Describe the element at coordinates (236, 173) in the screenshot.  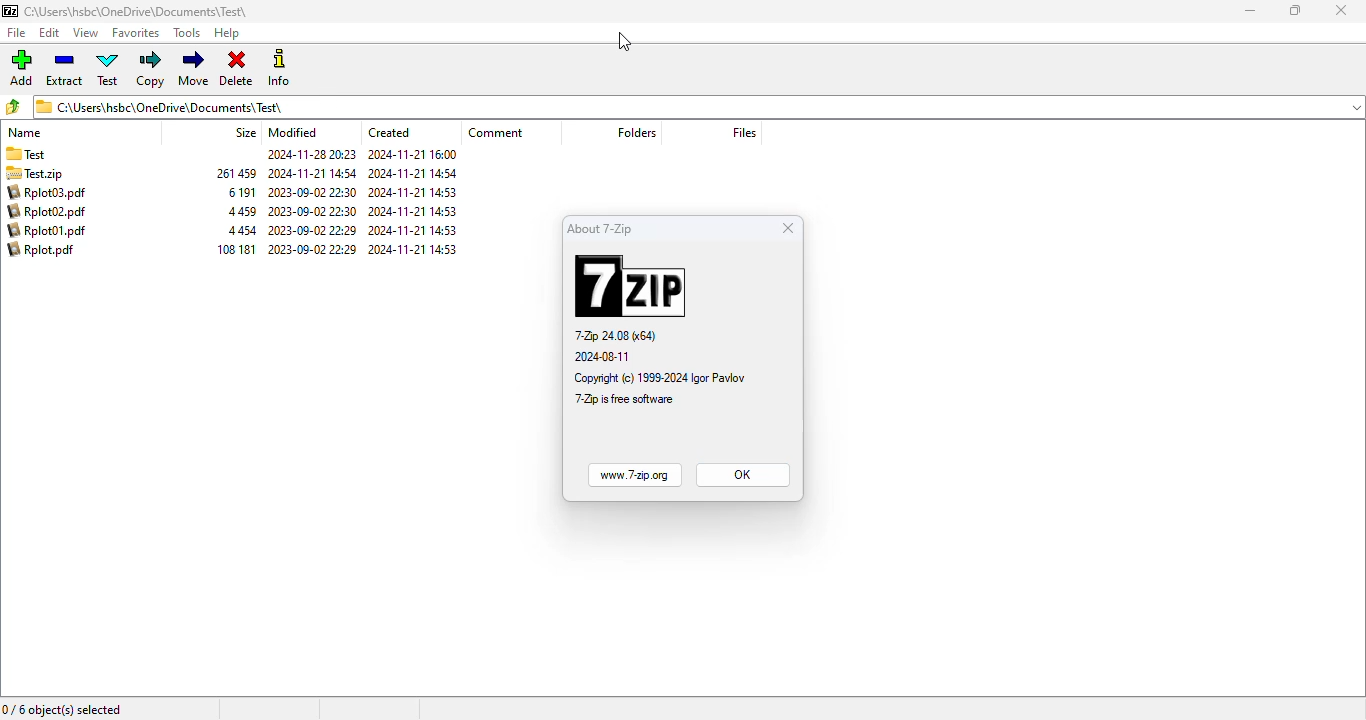
I see `261459` at that location.